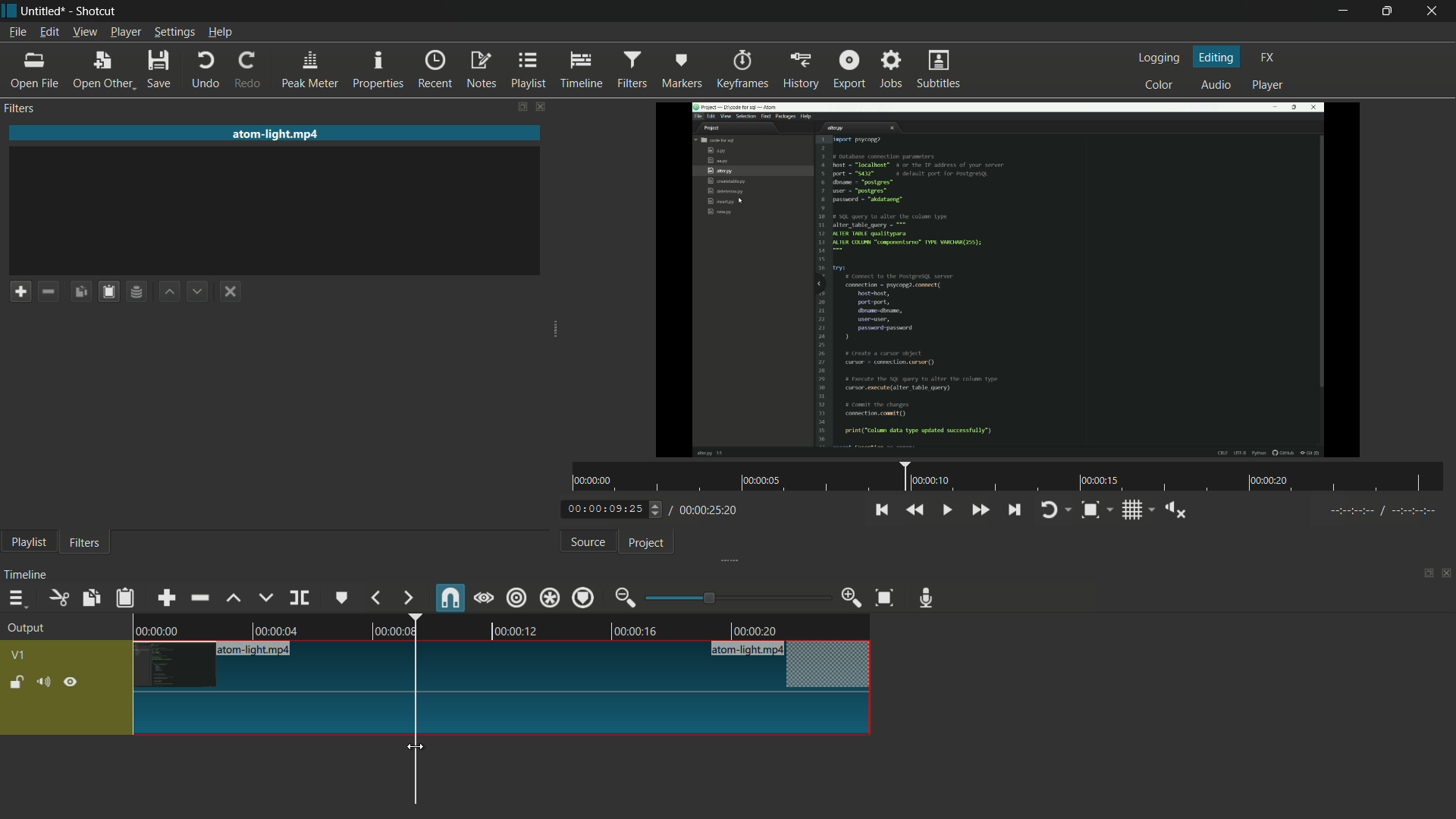  I want to click on open other, so click(104, 71).